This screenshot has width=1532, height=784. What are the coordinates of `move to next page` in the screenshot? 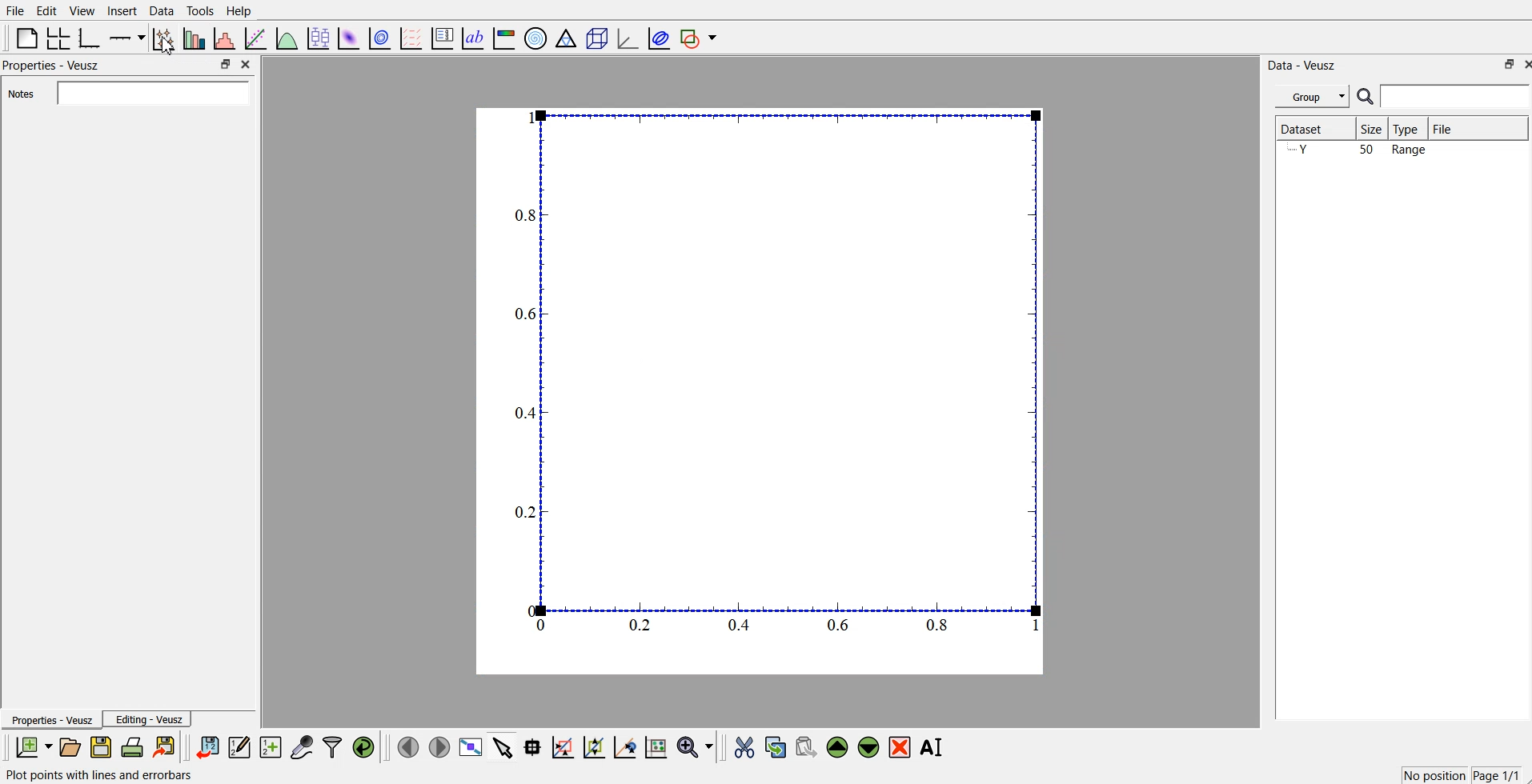 It's located at (439, 746).